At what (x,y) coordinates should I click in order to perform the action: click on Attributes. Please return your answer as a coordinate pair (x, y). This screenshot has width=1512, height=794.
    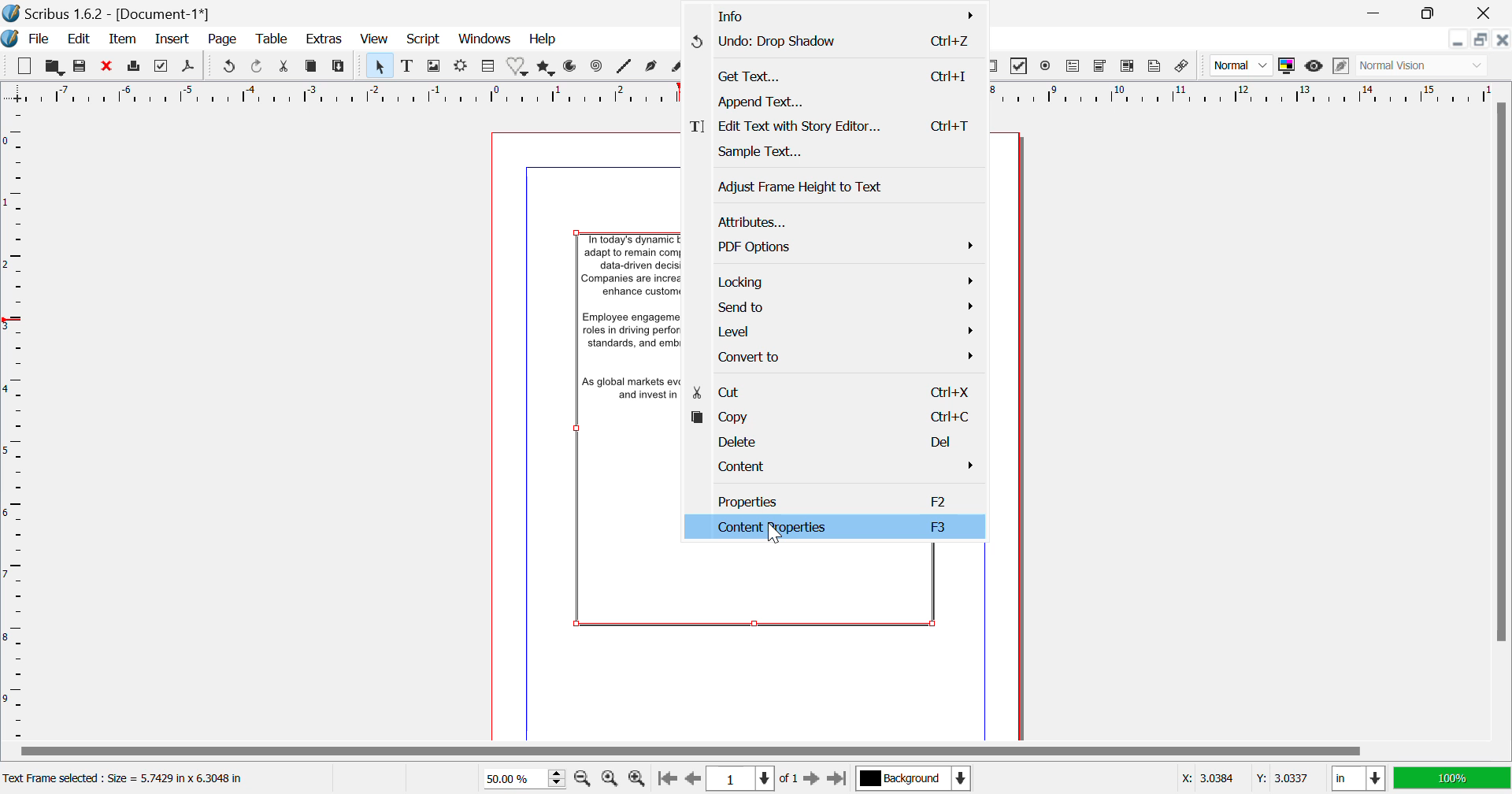
    Looking at the image, I should click on (837, 220).